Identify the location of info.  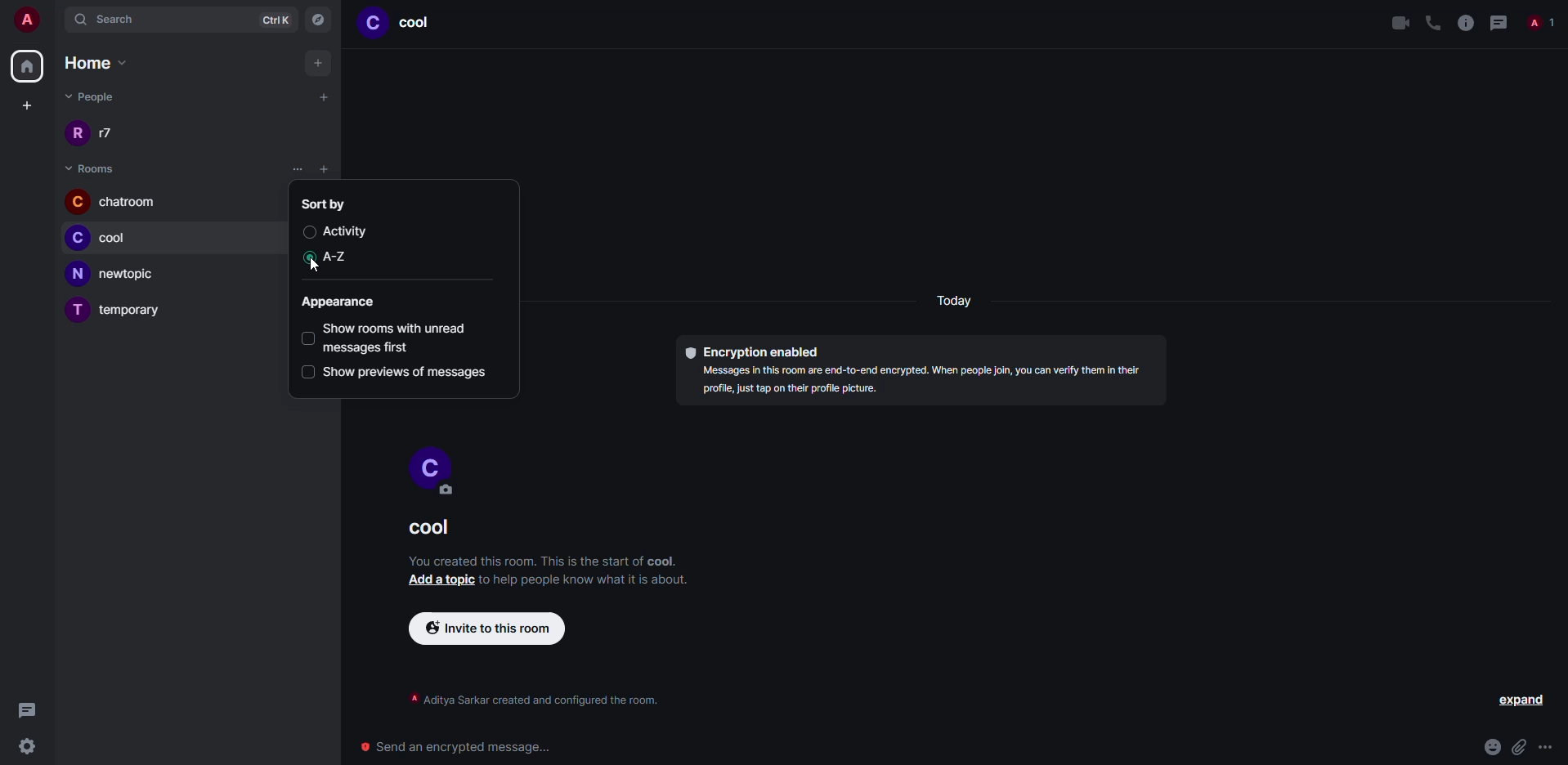
(1463, 22).